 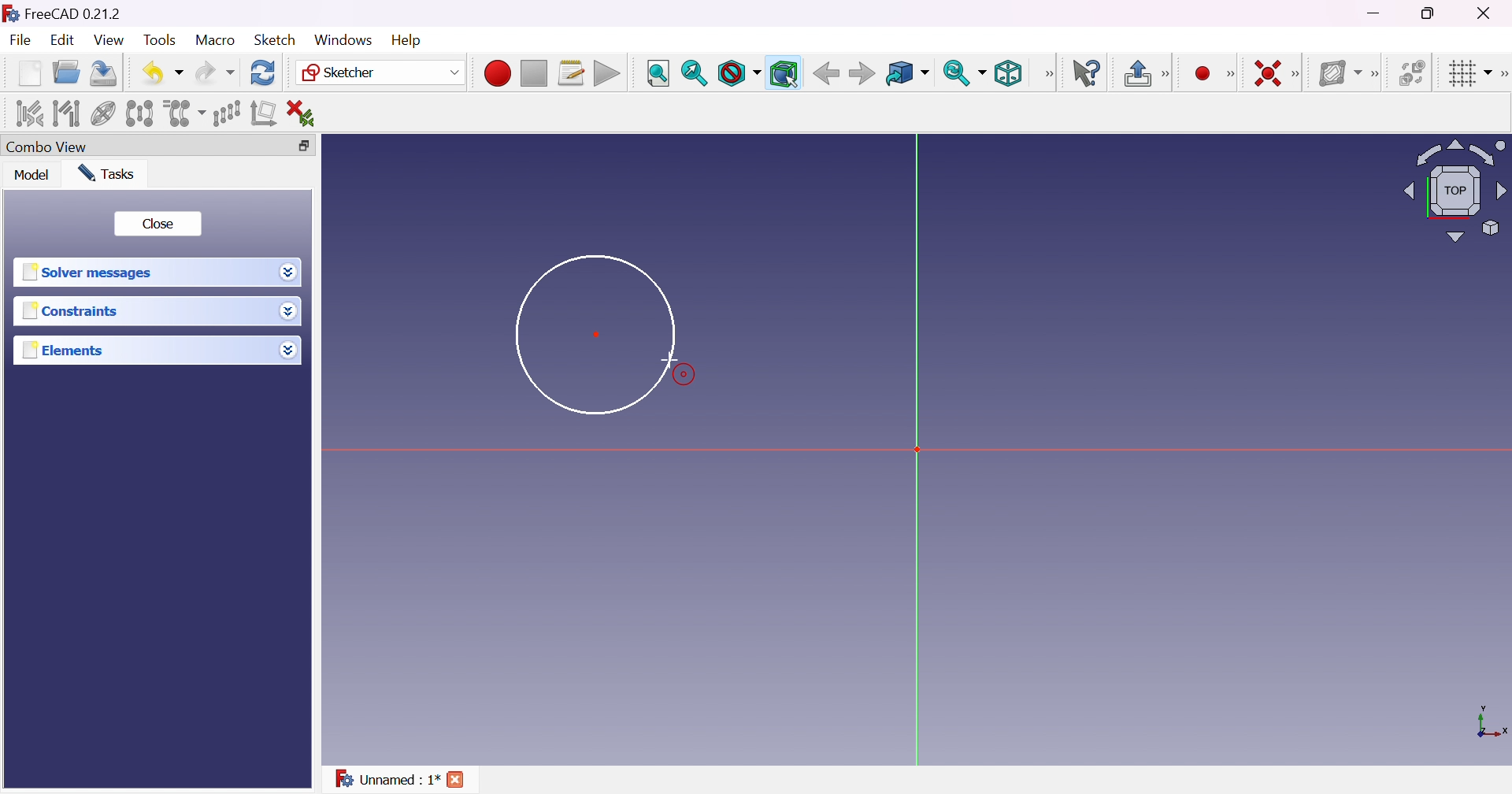 I want to click on Refresh, so click(x=263, y=73).